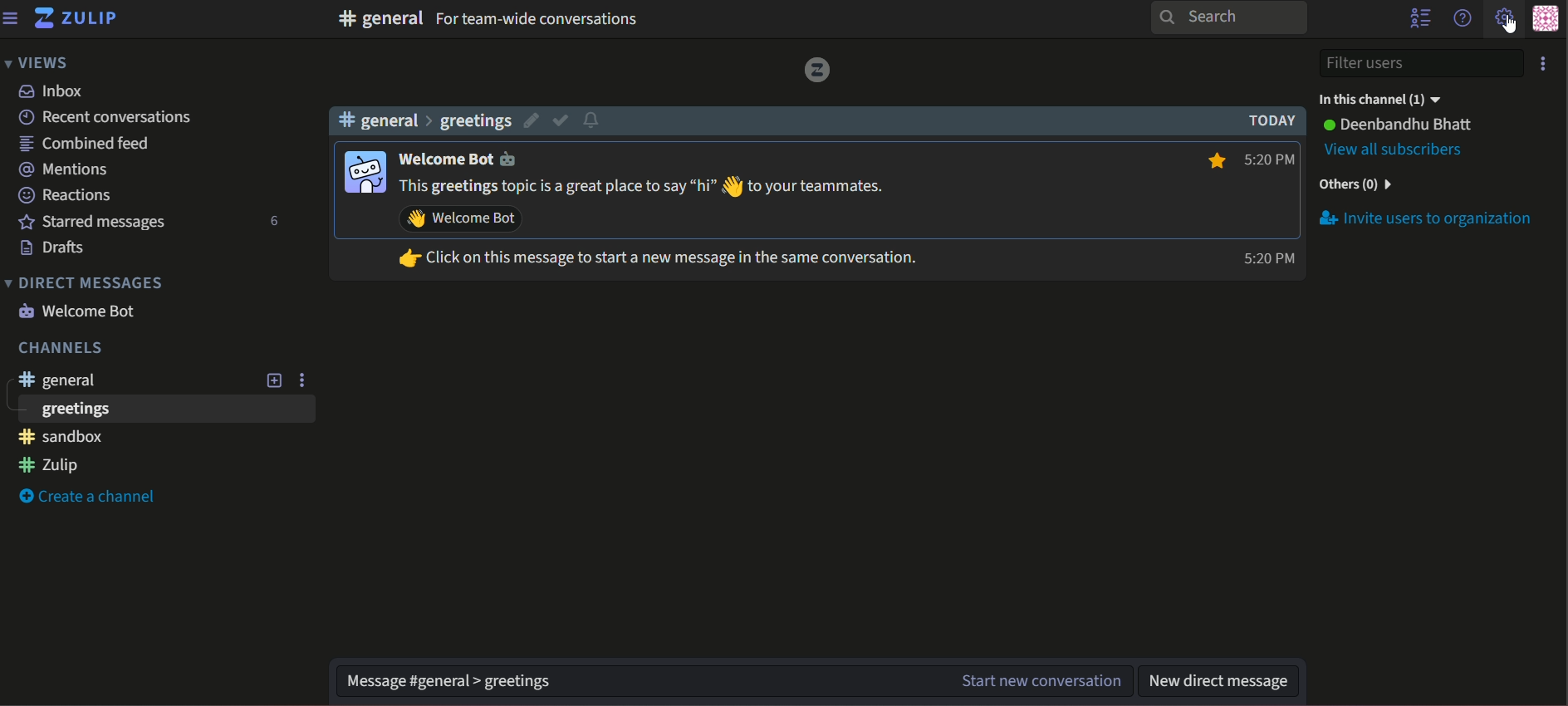  What do you see at coordinates (273, 380) in the screenshot?
I see `expand` at bounding box center [273, 380].